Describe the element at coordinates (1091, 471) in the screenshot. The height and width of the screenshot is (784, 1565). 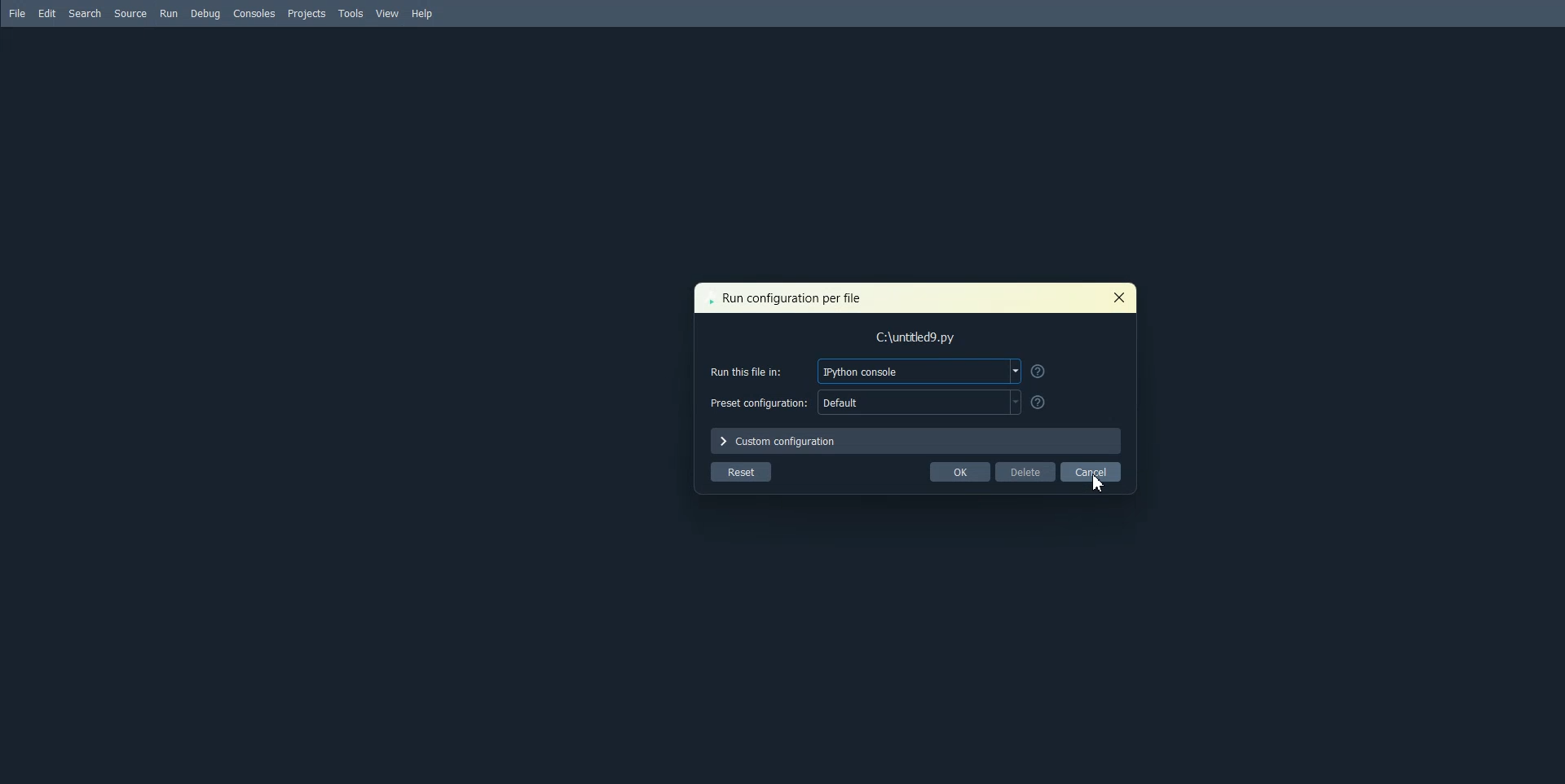
I see `Cancel` at that location.